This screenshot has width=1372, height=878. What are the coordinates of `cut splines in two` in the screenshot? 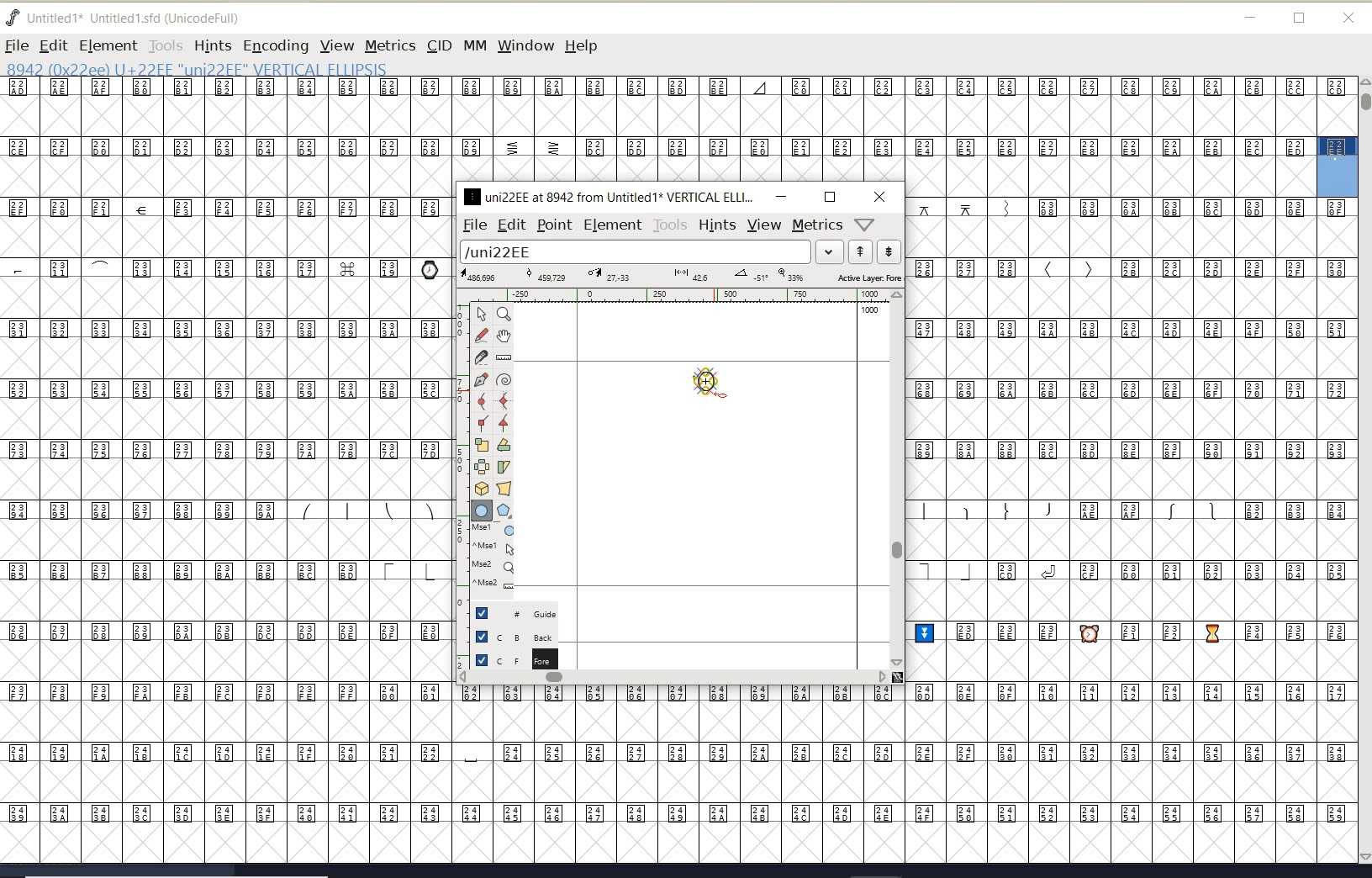 It's located at (481, 357).